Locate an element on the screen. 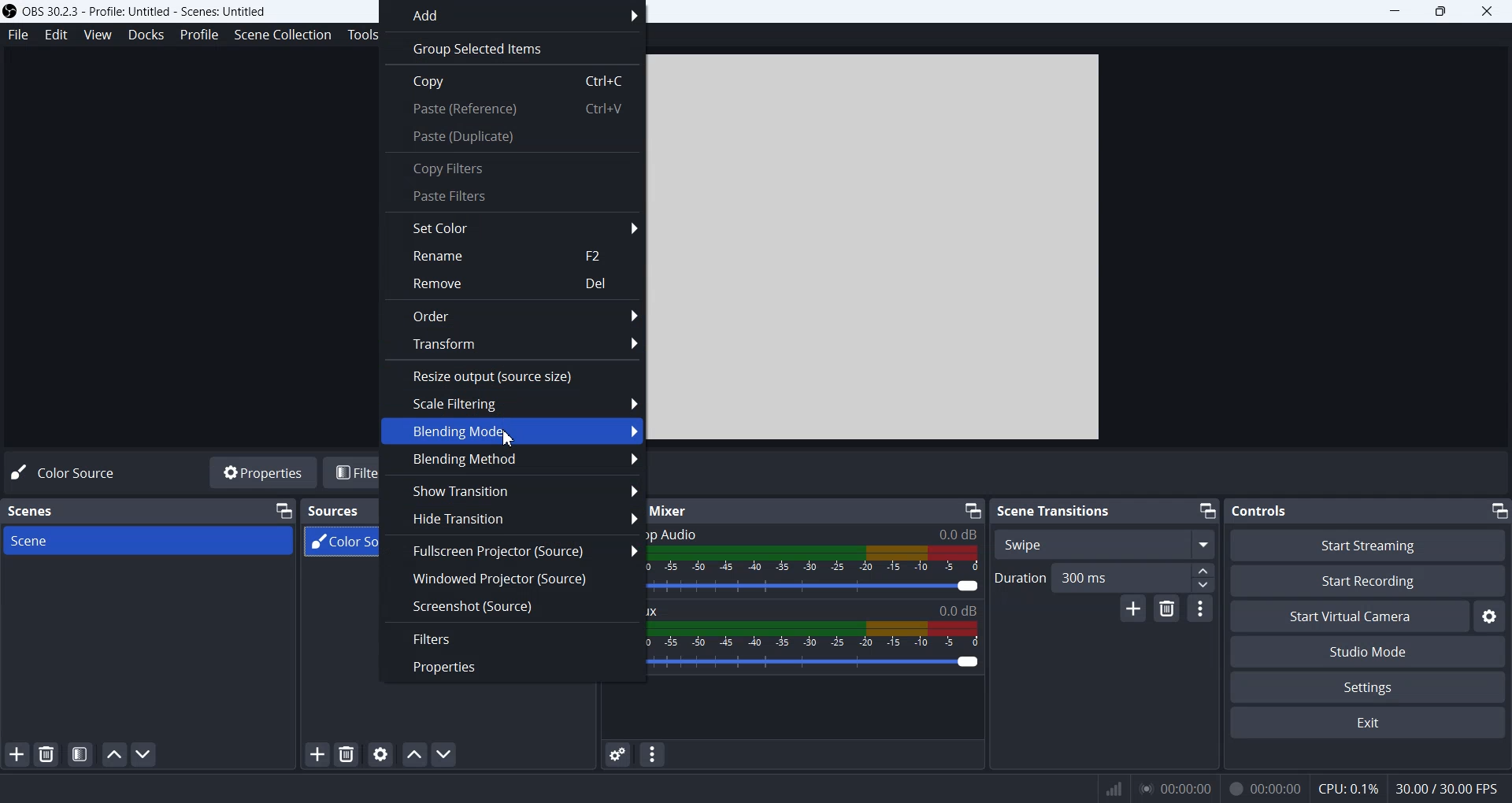 This screenshot has height=803, width=1512. Paste Filters is located at coordinates (511, 196).